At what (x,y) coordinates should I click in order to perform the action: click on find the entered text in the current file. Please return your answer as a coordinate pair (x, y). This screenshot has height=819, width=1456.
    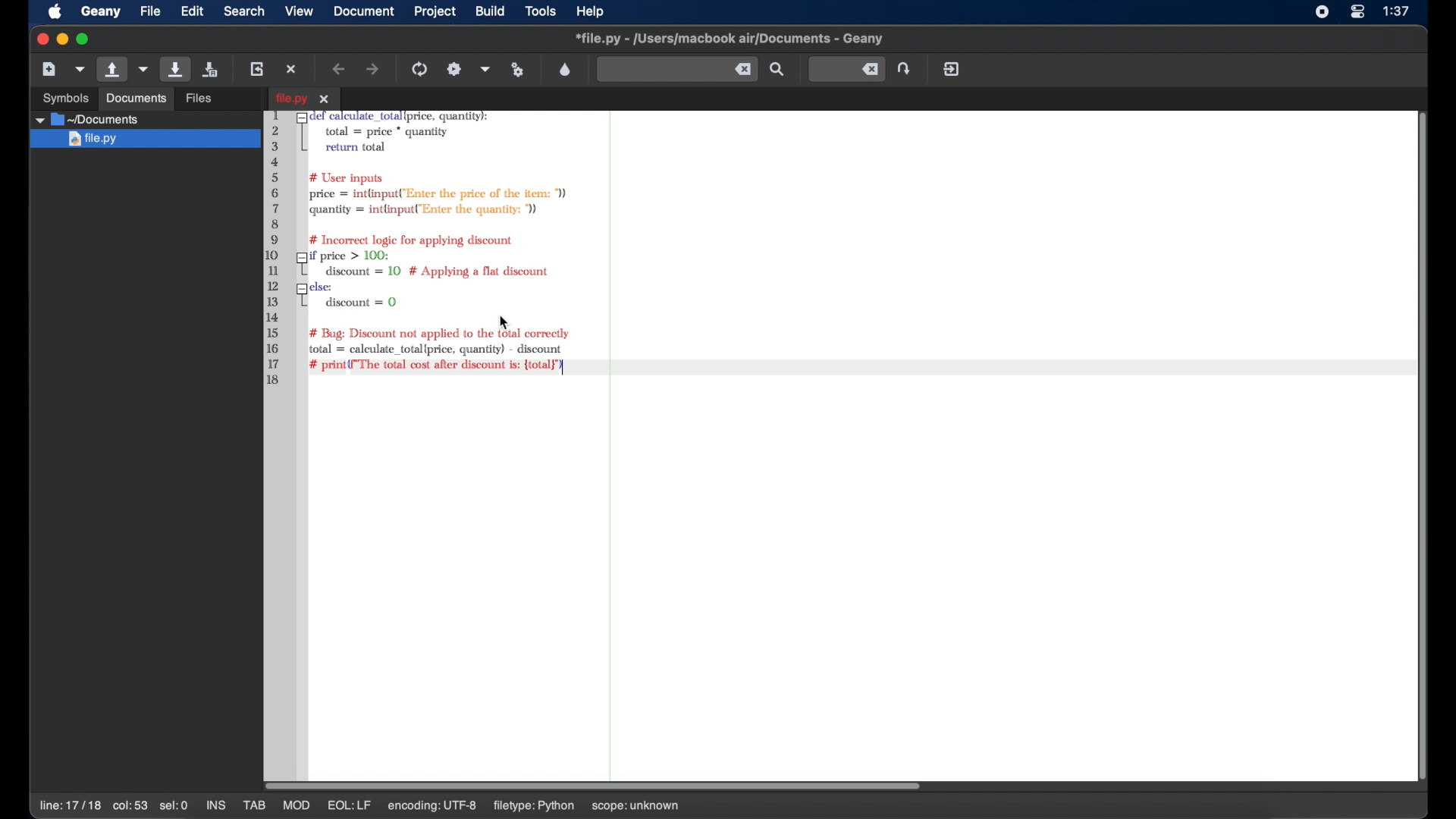
    Looking at the image, I should click on (676, 70).